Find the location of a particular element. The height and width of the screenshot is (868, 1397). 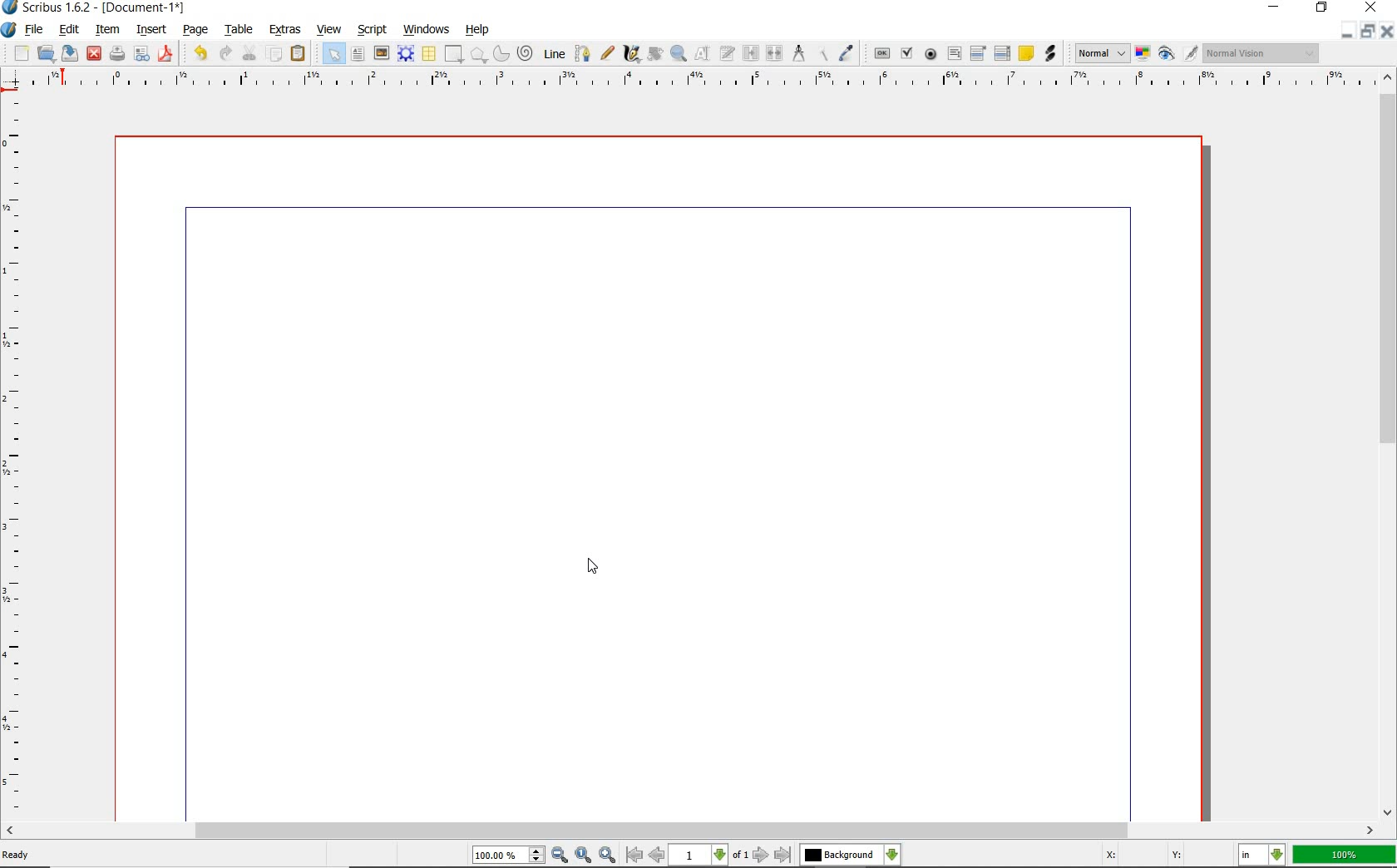

coordinates is located at coordinates (1148, 856).